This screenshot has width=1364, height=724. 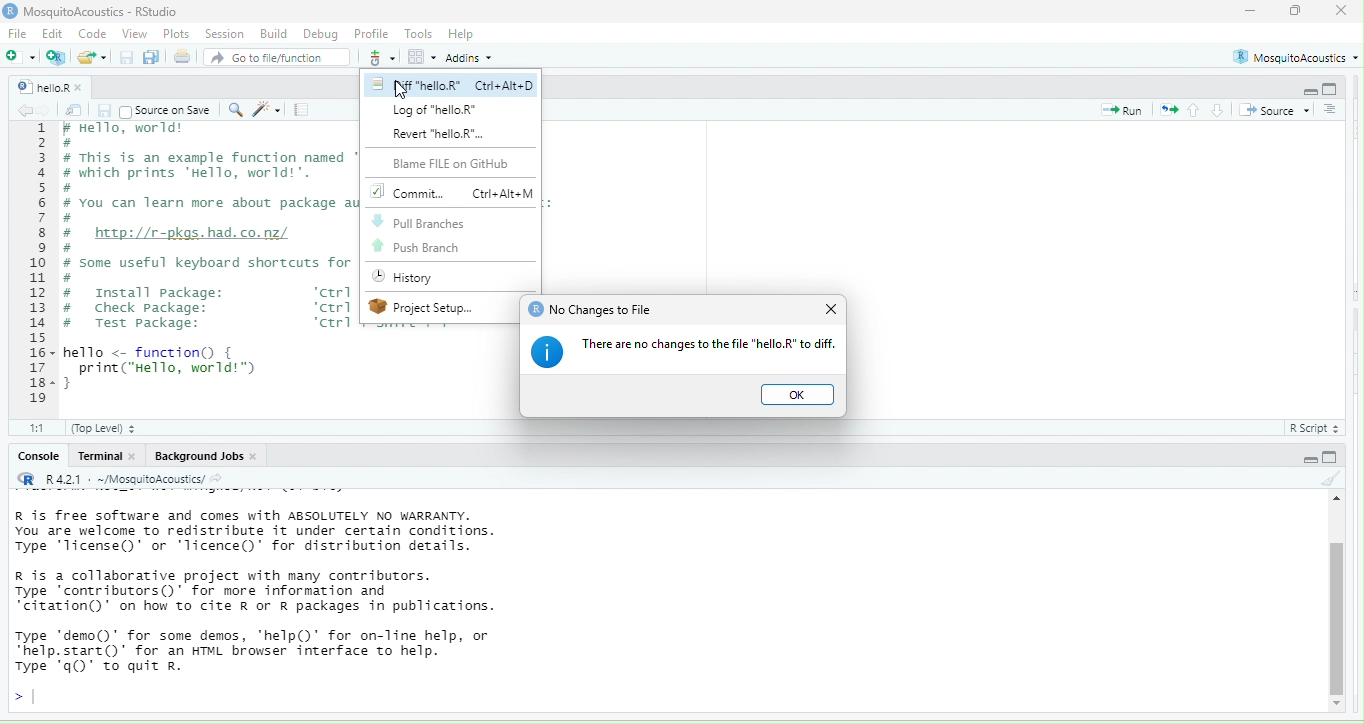 I want to click on create a project, so click(x=58, y=58).